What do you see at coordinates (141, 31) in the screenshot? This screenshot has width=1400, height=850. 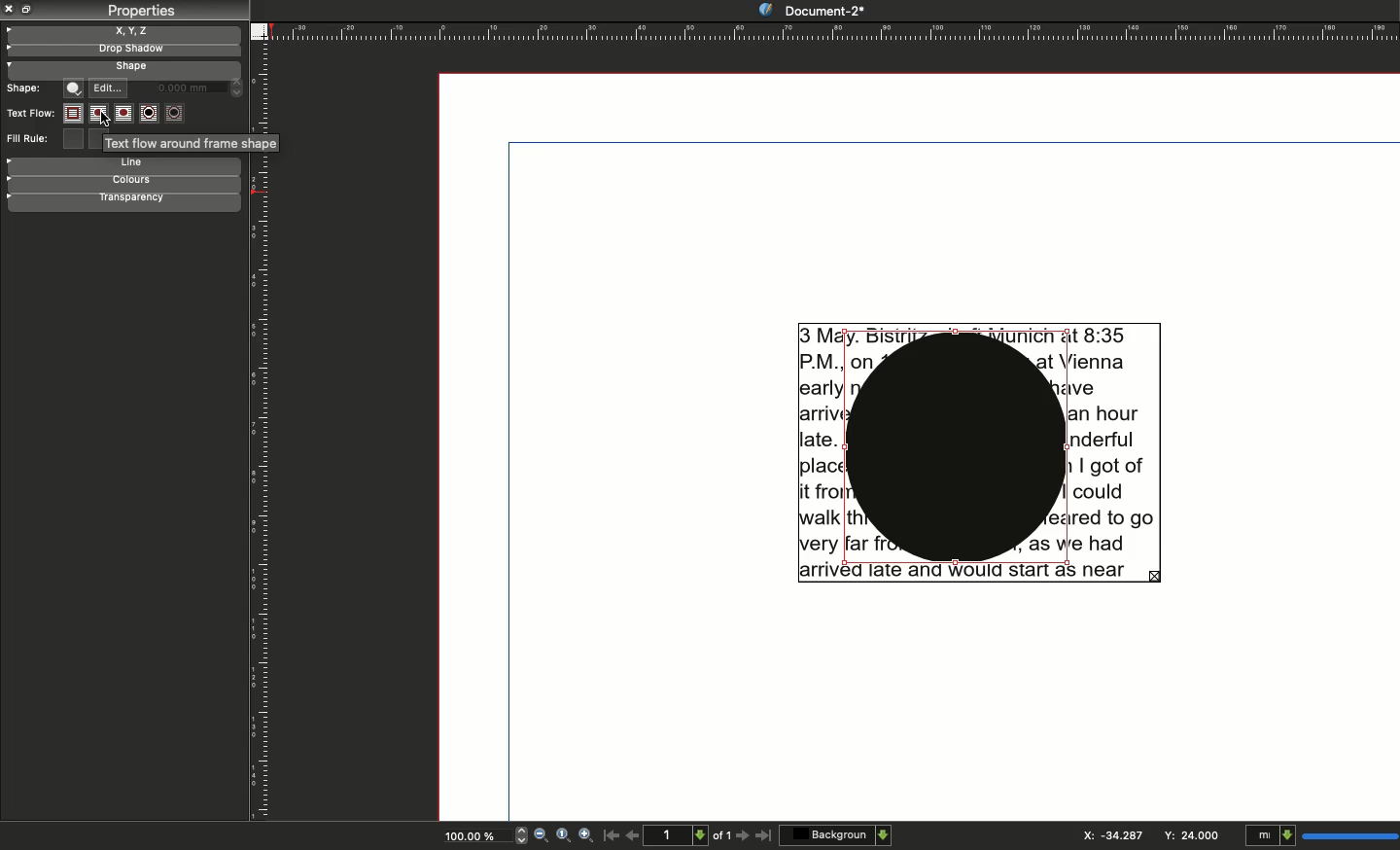 I see `x, y, z` at bounding box center [141, 31].